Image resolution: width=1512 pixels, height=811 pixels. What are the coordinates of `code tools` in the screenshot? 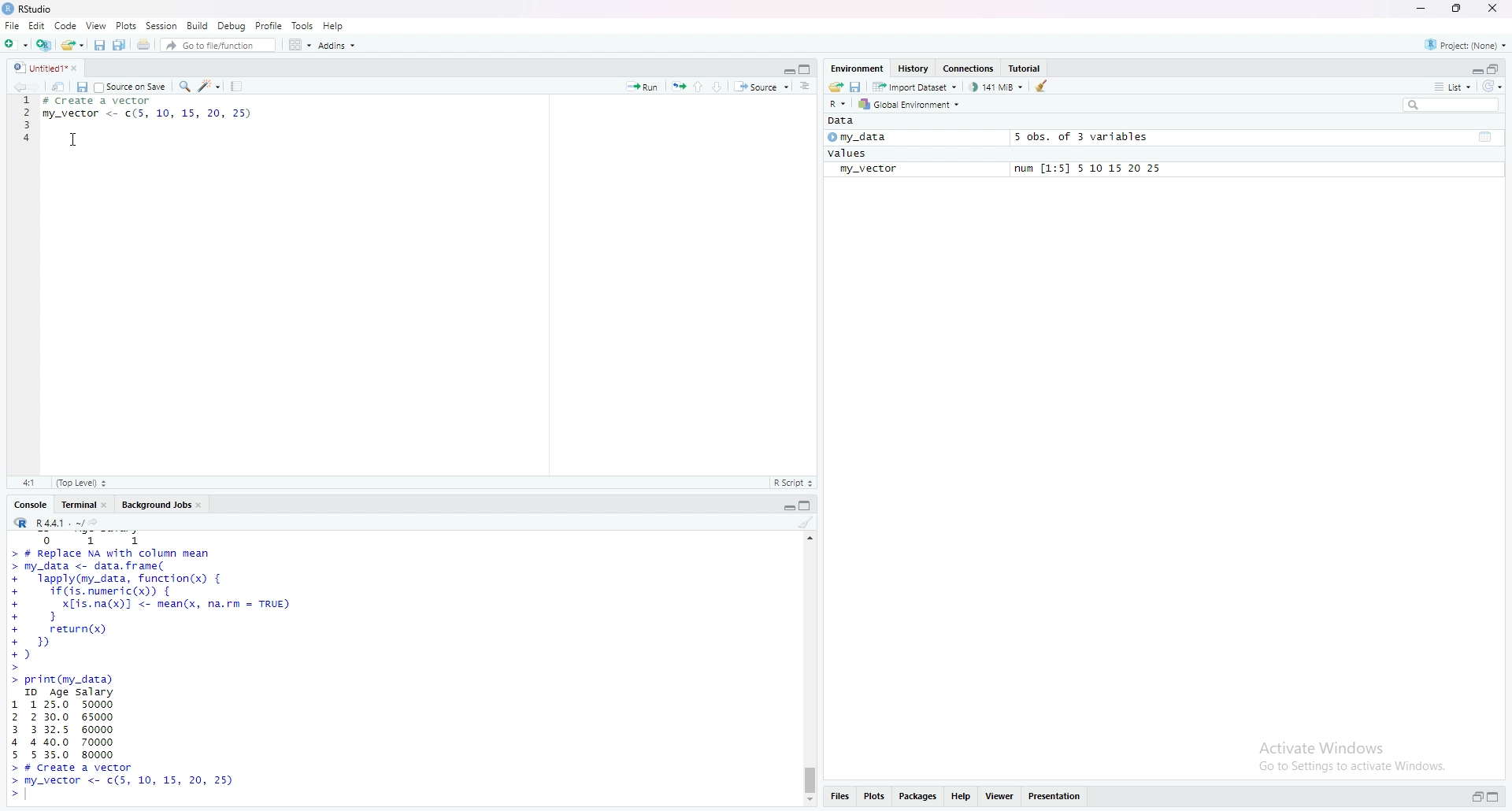 It's located at (210, 87).